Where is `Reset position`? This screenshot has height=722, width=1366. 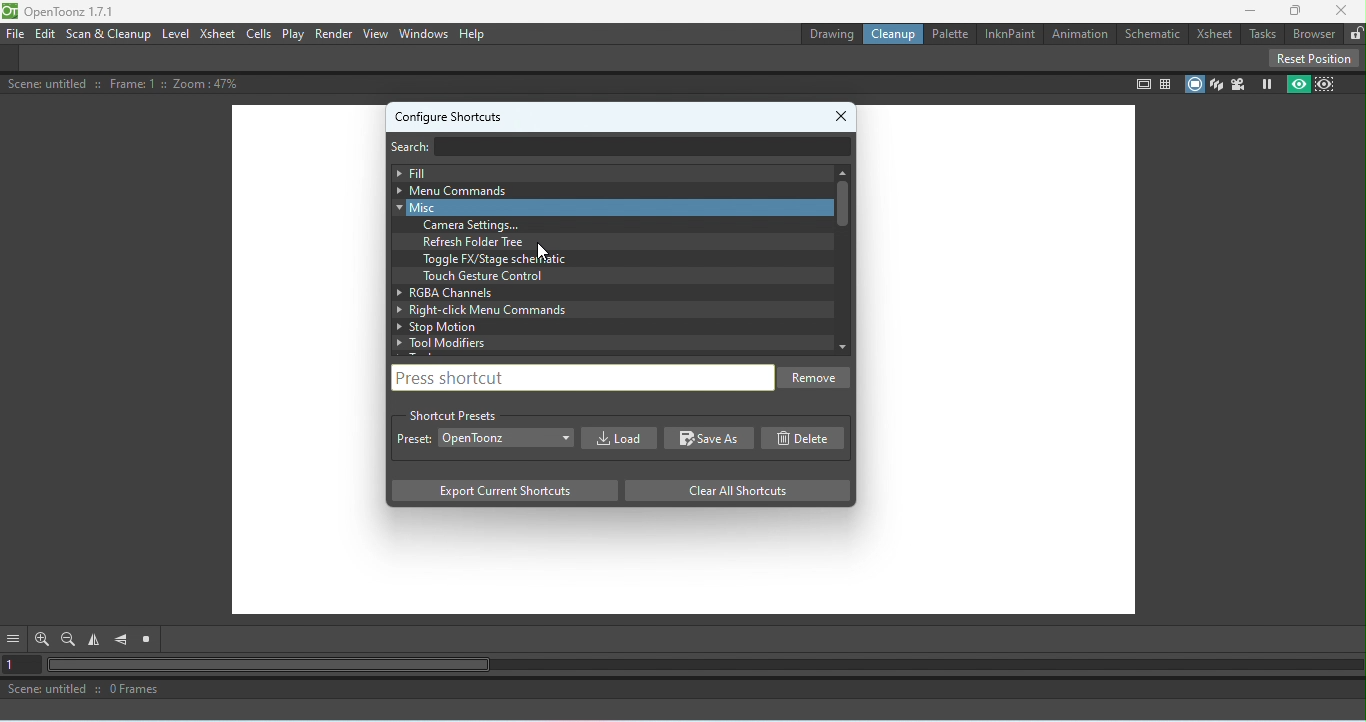 Reset position is located at coordinates (1313, 57).